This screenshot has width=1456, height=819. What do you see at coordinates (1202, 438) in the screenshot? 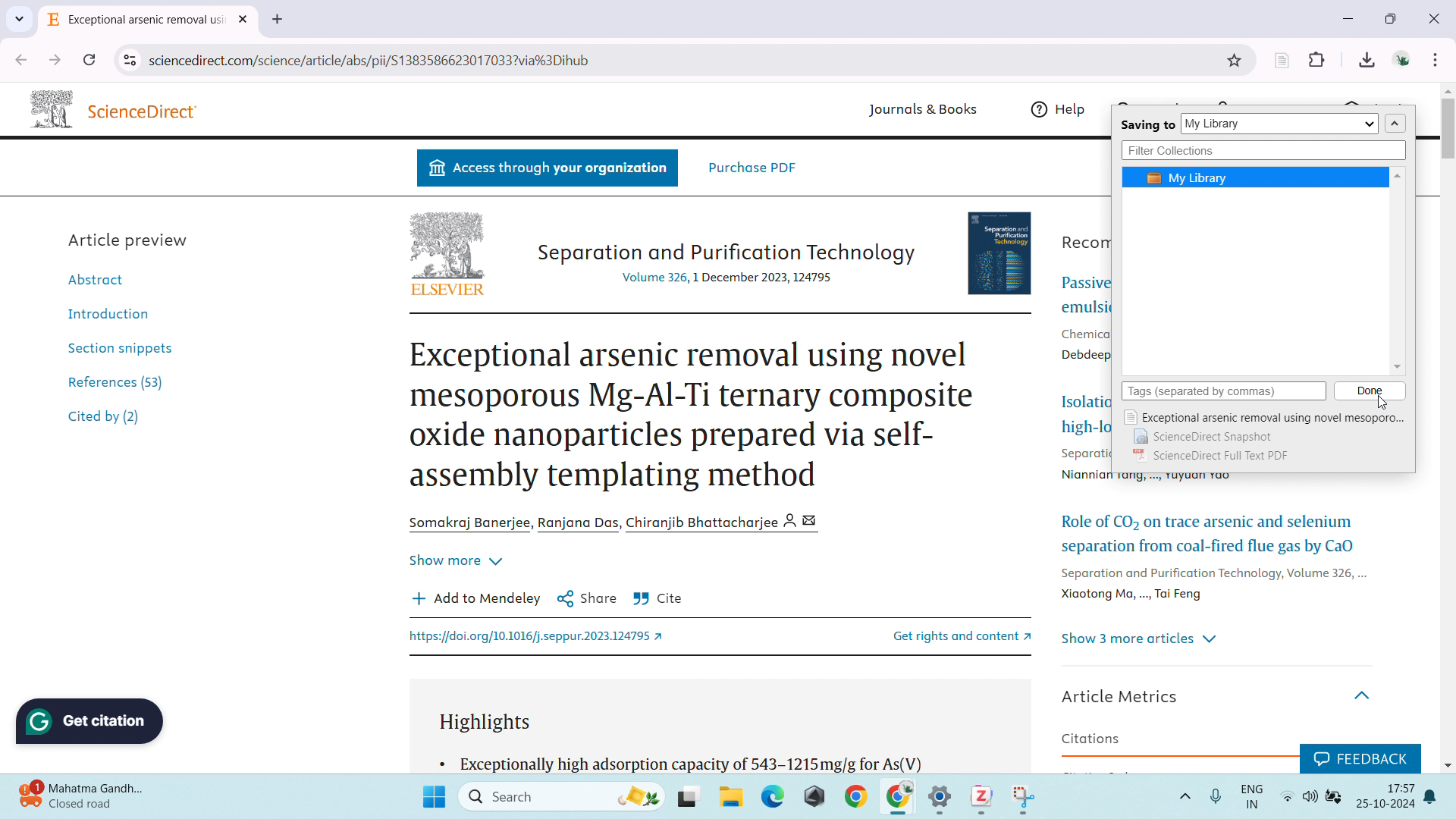
I see `ScienceDirect Snapshot` at bounding box center [1202, 438].